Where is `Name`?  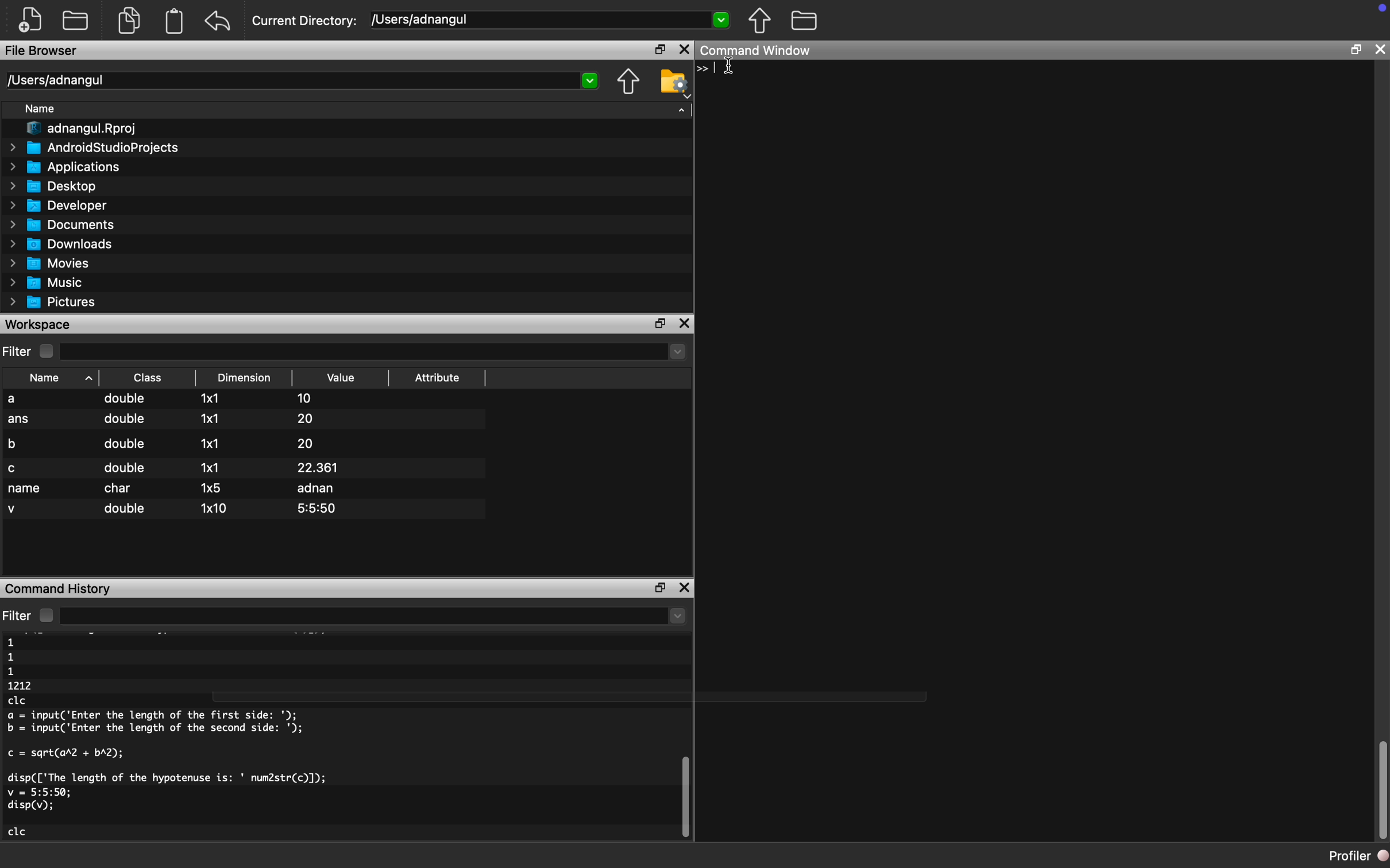
Name is located at coordinates (39, 108).